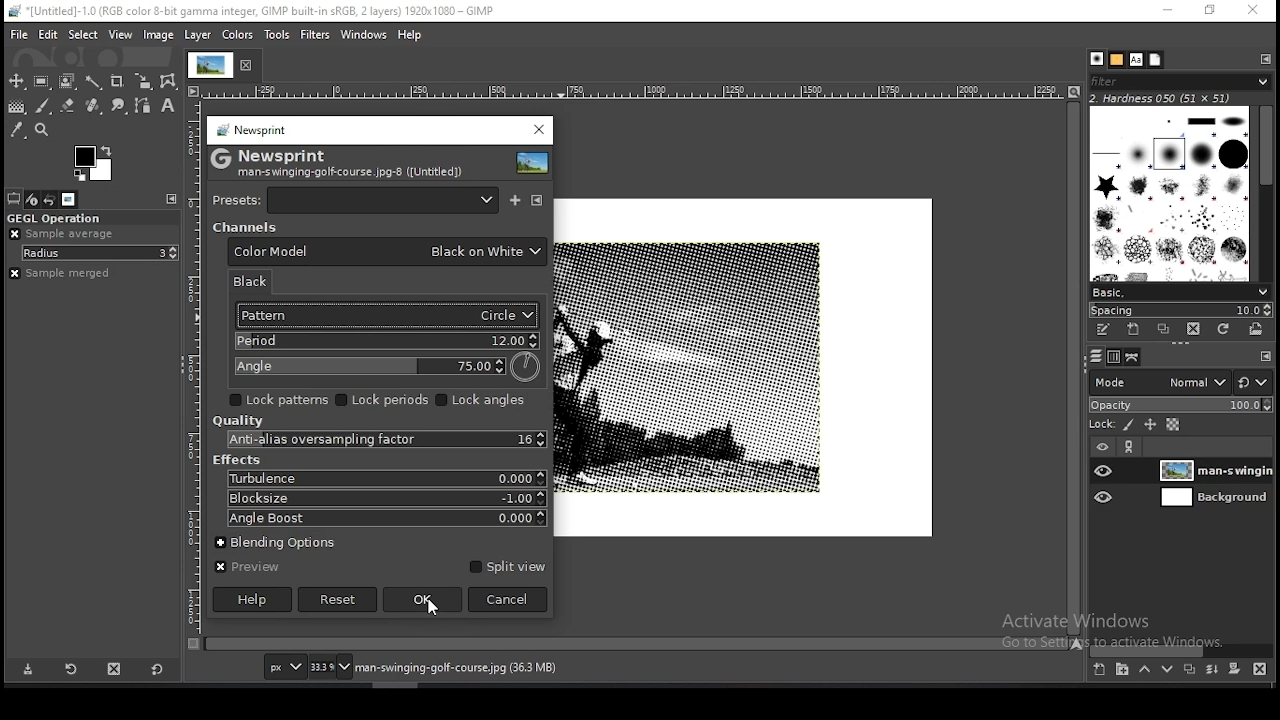 This screenshot has height=720, width=1280. Describe the element at coordinates (537, 199) in the screenshot. I see `manage presets` at that location.